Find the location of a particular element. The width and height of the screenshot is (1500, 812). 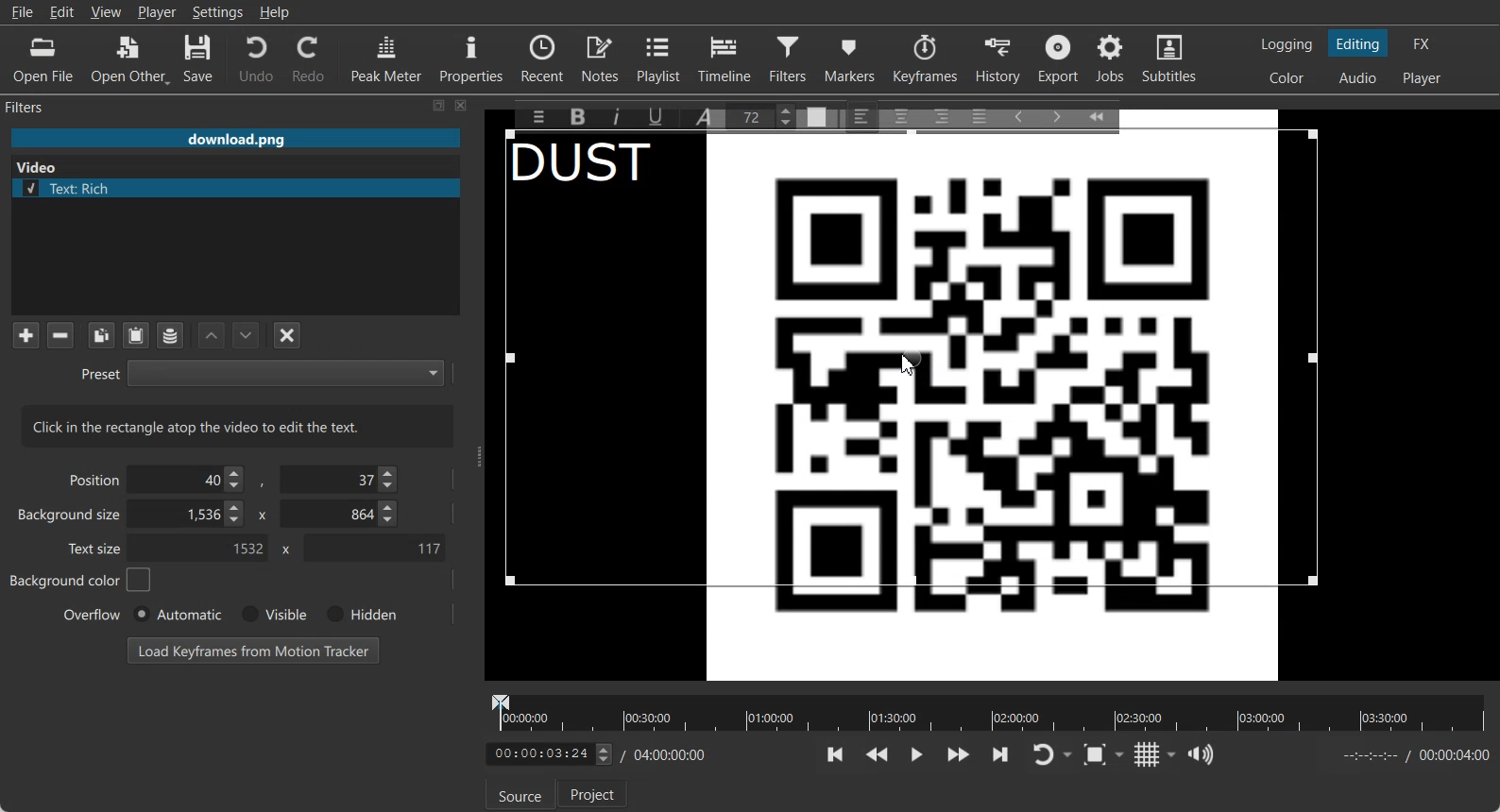

Paste Filters is located at coordinates (136, 336).